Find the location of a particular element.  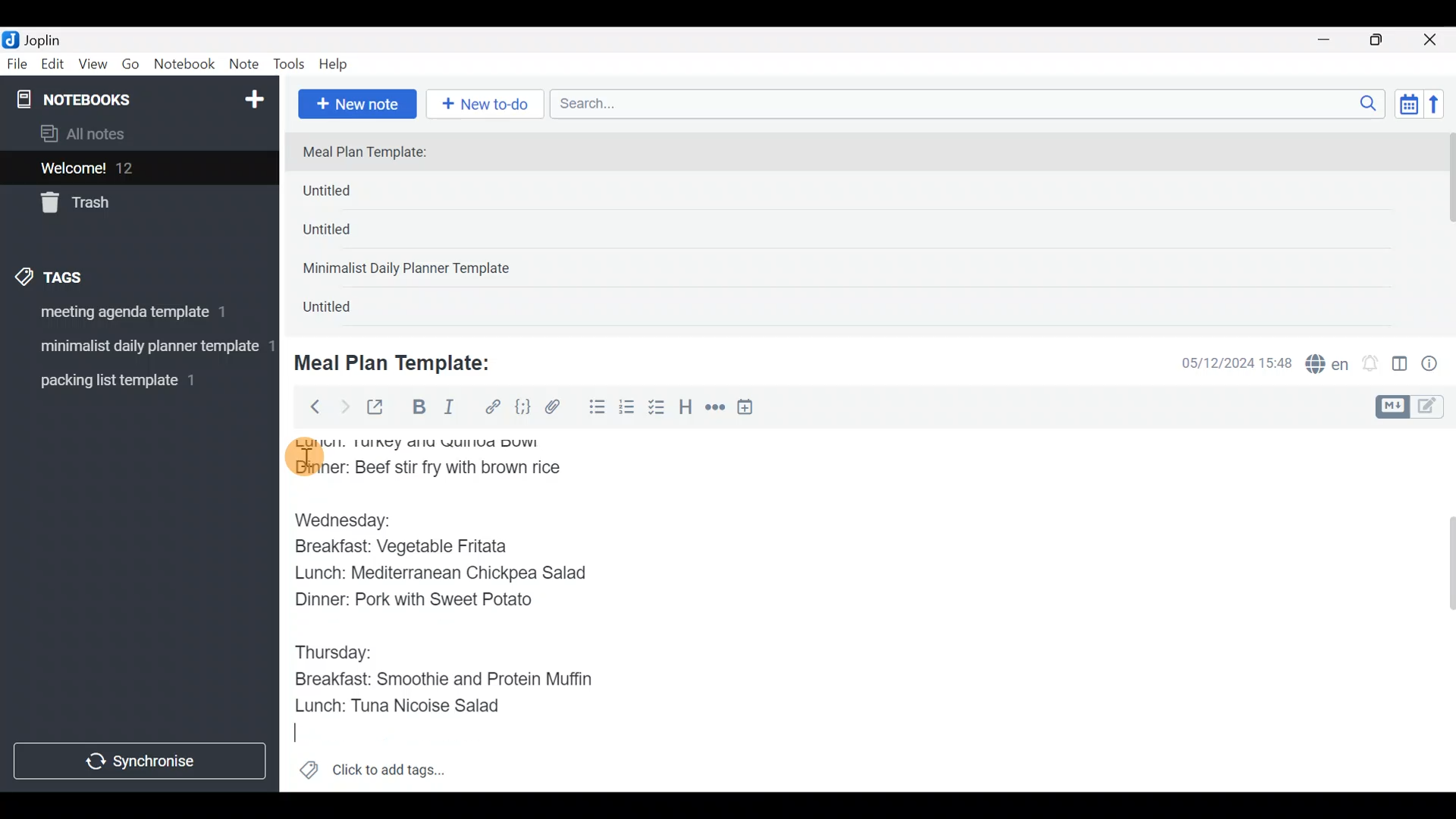

Wednesday: is located at coordinates (350, 519).